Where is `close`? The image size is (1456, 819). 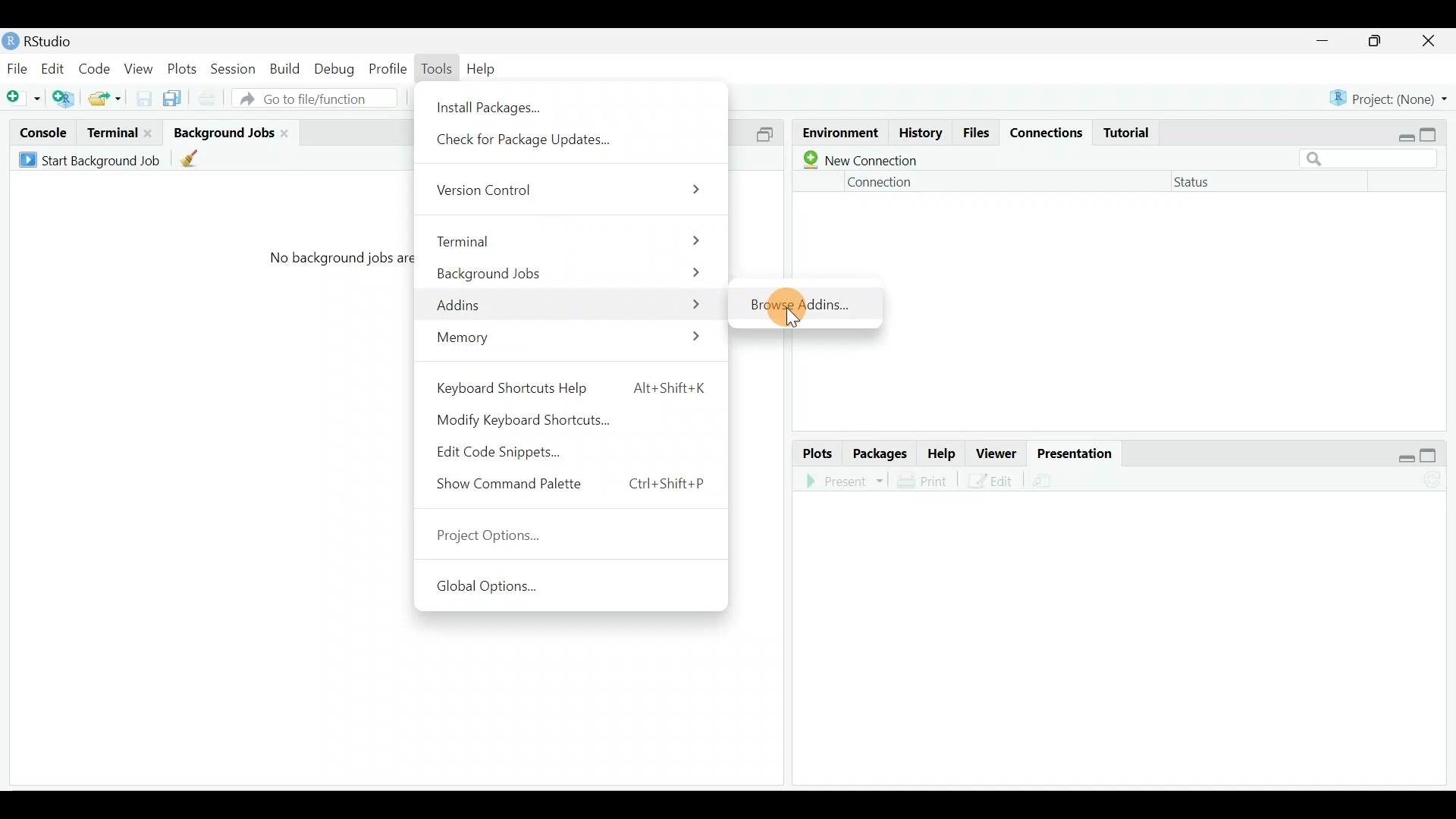 close is located at coordinates (1429, 41).